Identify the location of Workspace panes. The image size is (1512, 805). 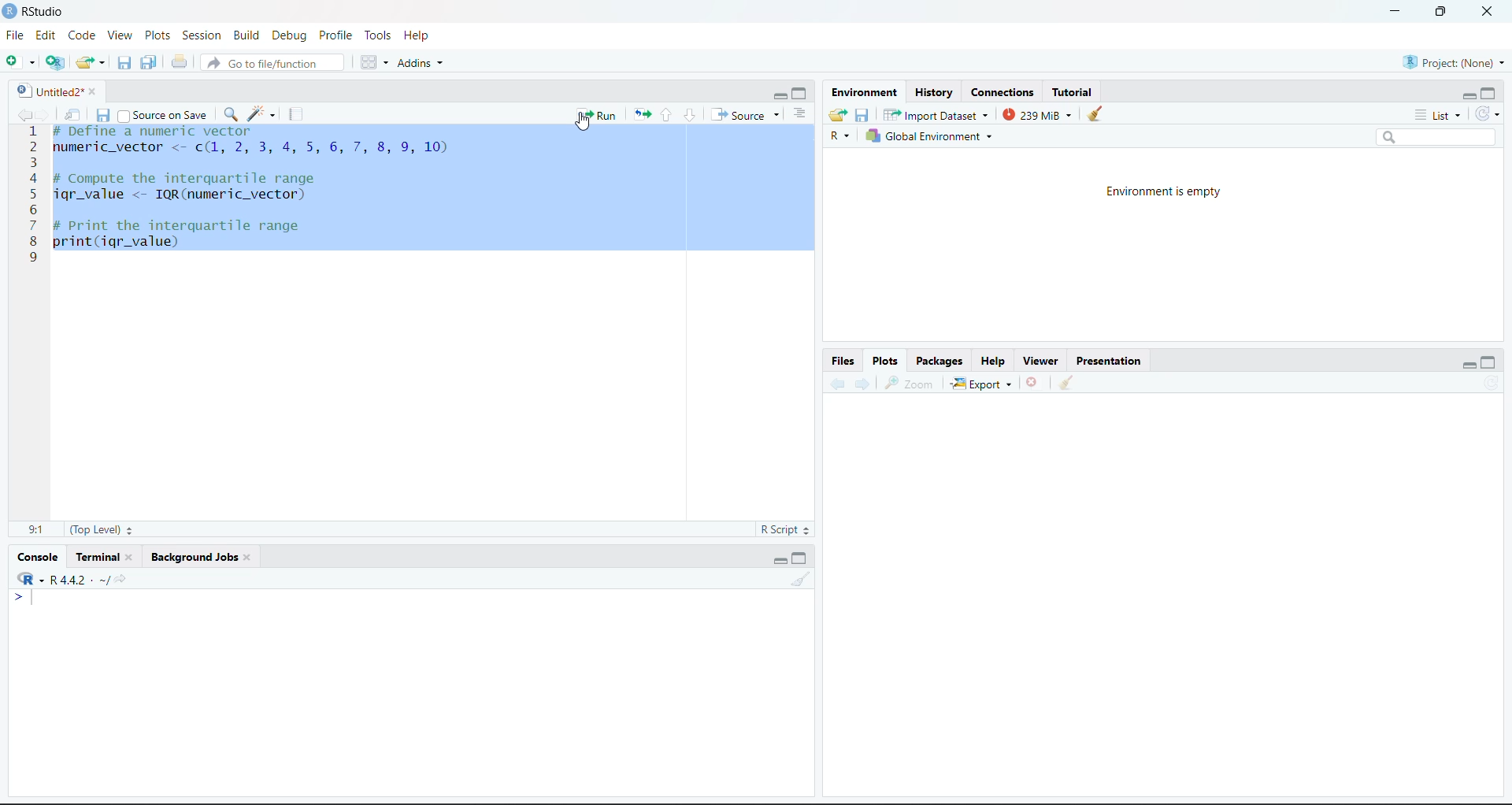
(370, 61).